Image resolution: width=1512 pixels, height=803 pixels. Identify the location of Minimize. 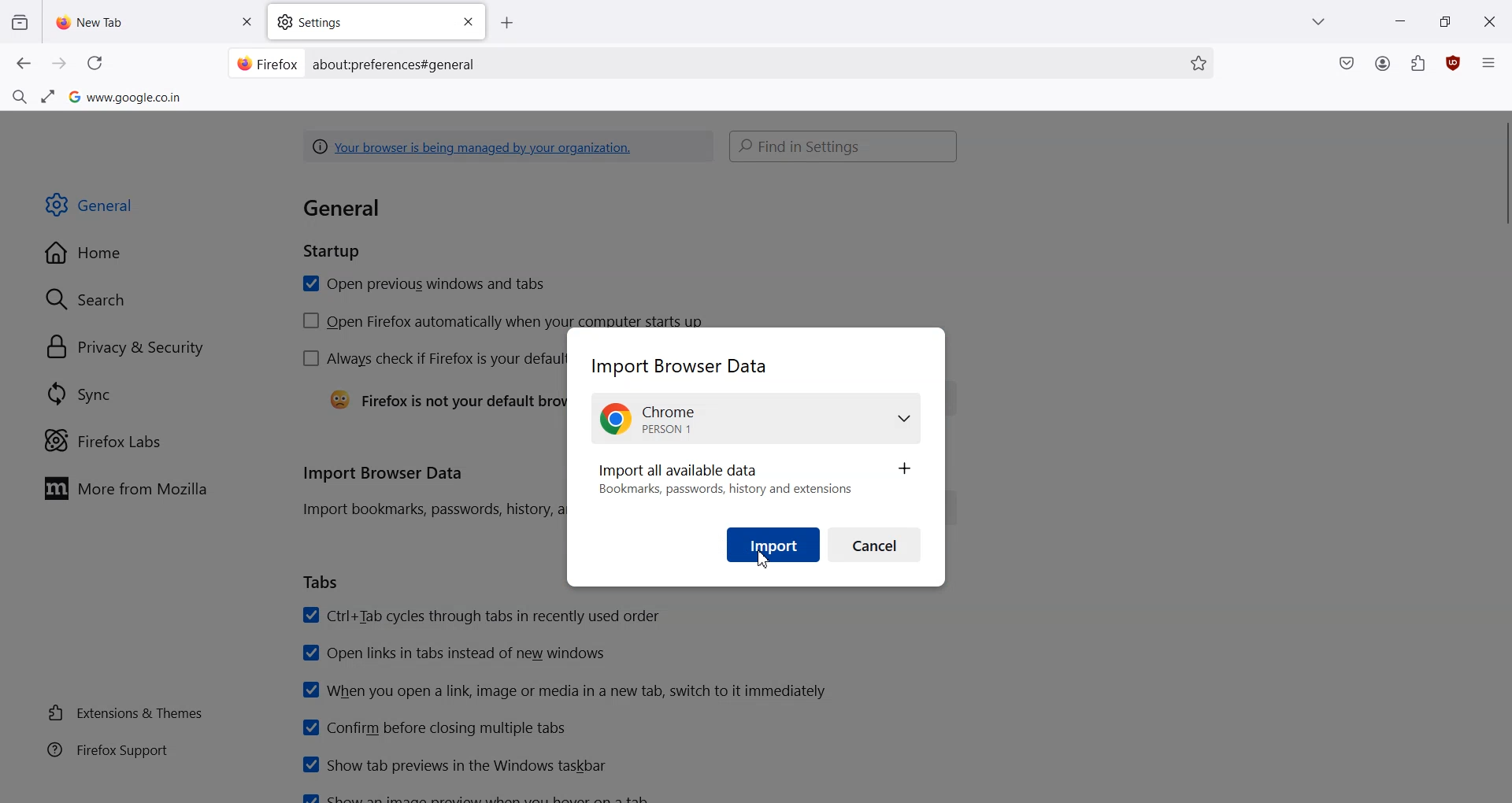
(1400, 20).